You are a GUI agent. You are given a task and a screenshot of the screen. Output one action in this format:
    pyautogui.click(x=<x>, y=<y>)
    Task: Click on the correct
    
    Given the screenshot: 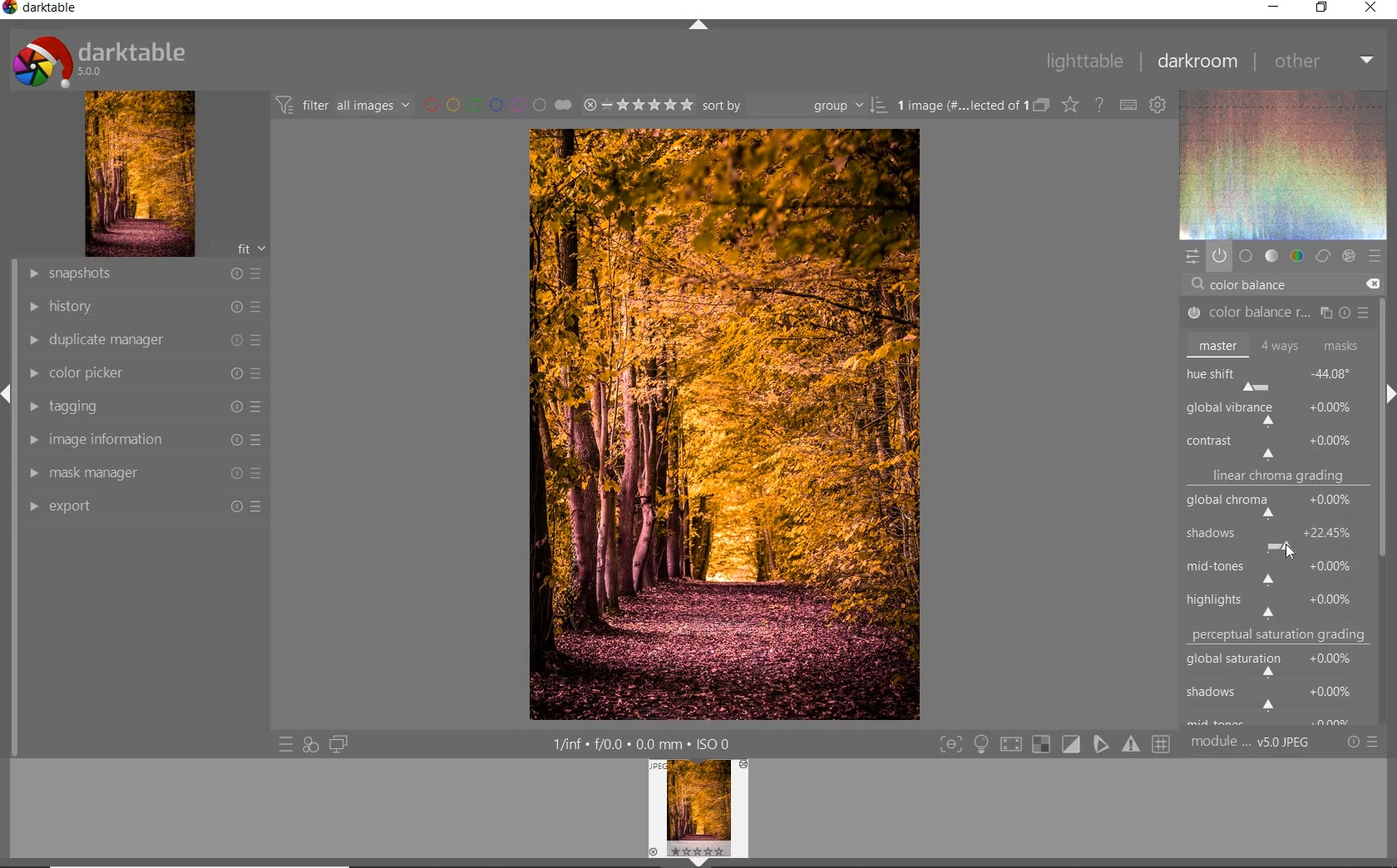 What is the action you would take?
    pyautogui.click(x=1322, y=257)
    